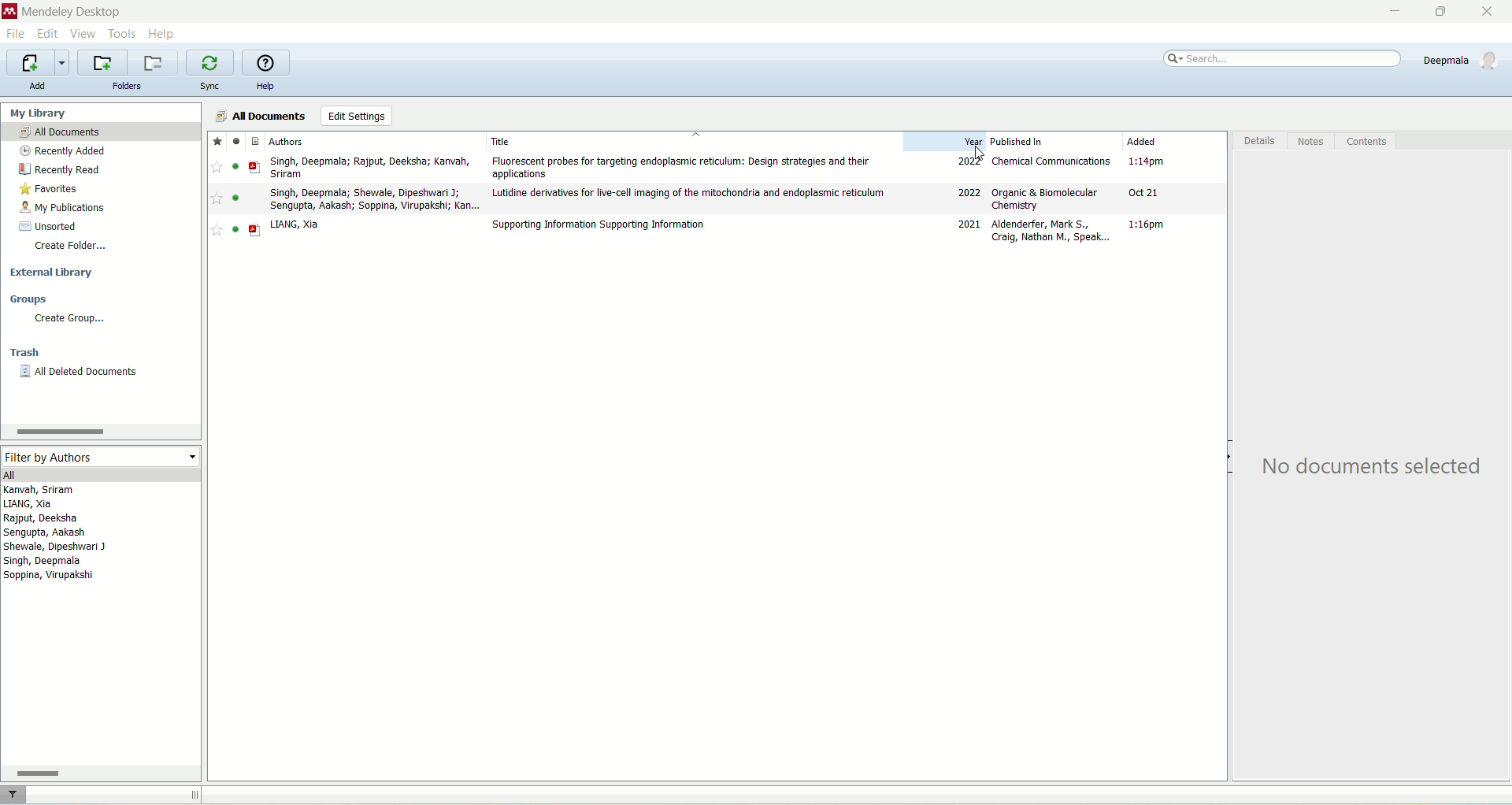 The height and width of the screenshot is (805, 1512). Describe the element at coordinates (261, 115) in the screenshot. I see `all documents` at that location.